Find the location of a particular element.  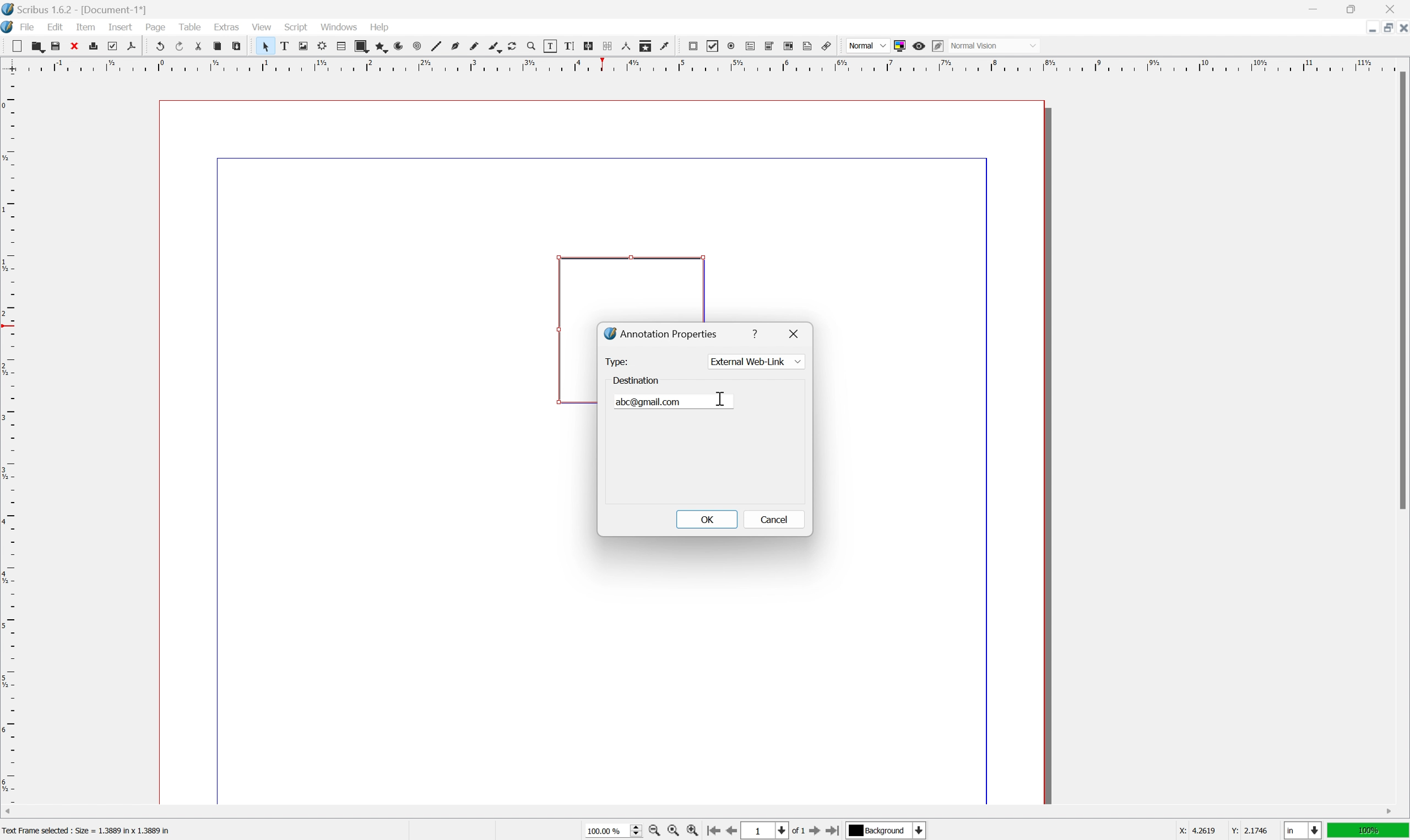

render frame is located at coordinates (323, 46).